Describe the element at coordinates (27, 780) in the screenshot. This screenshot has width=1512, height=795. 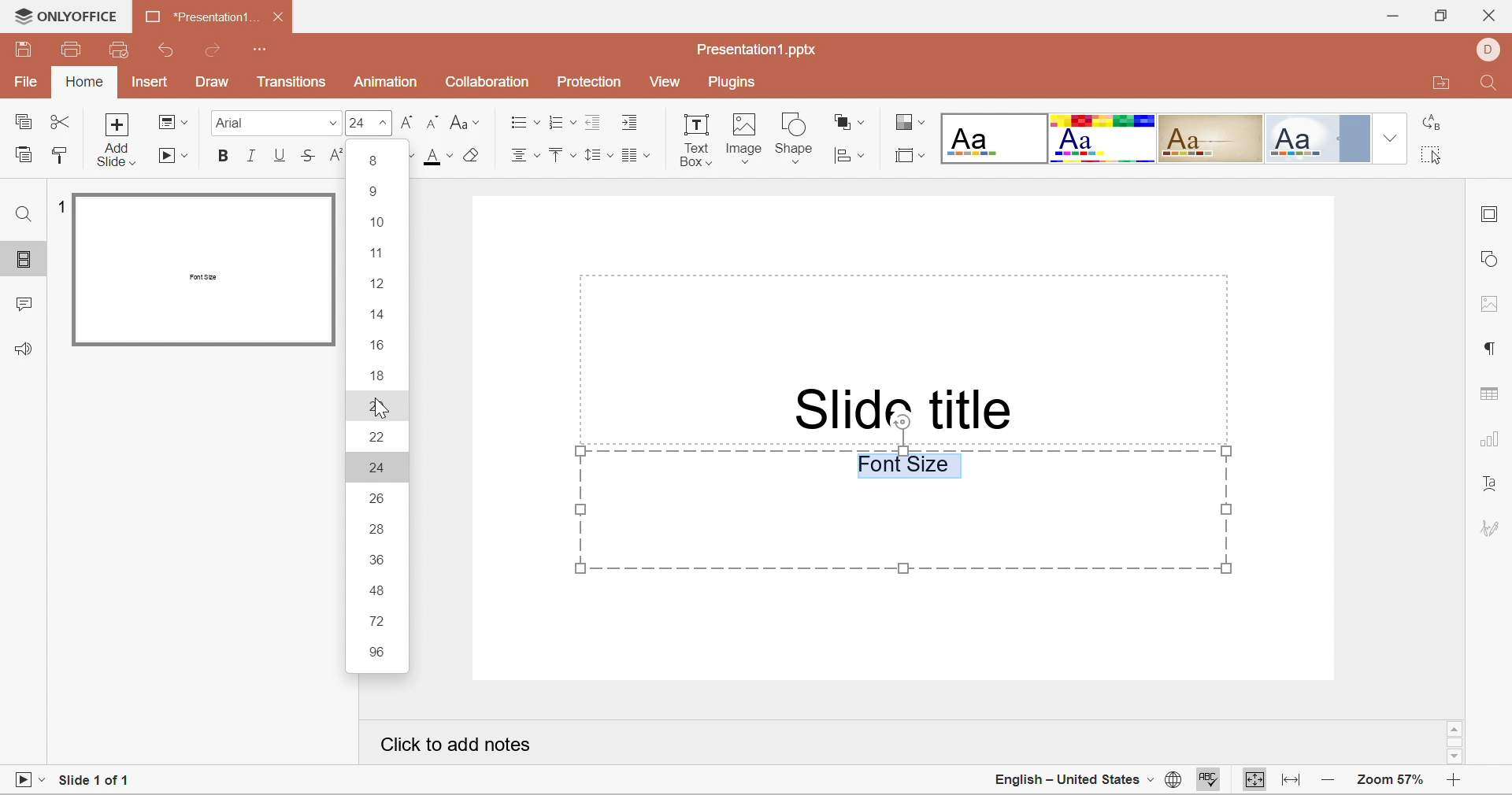
I see `Start slideshow` at that location.